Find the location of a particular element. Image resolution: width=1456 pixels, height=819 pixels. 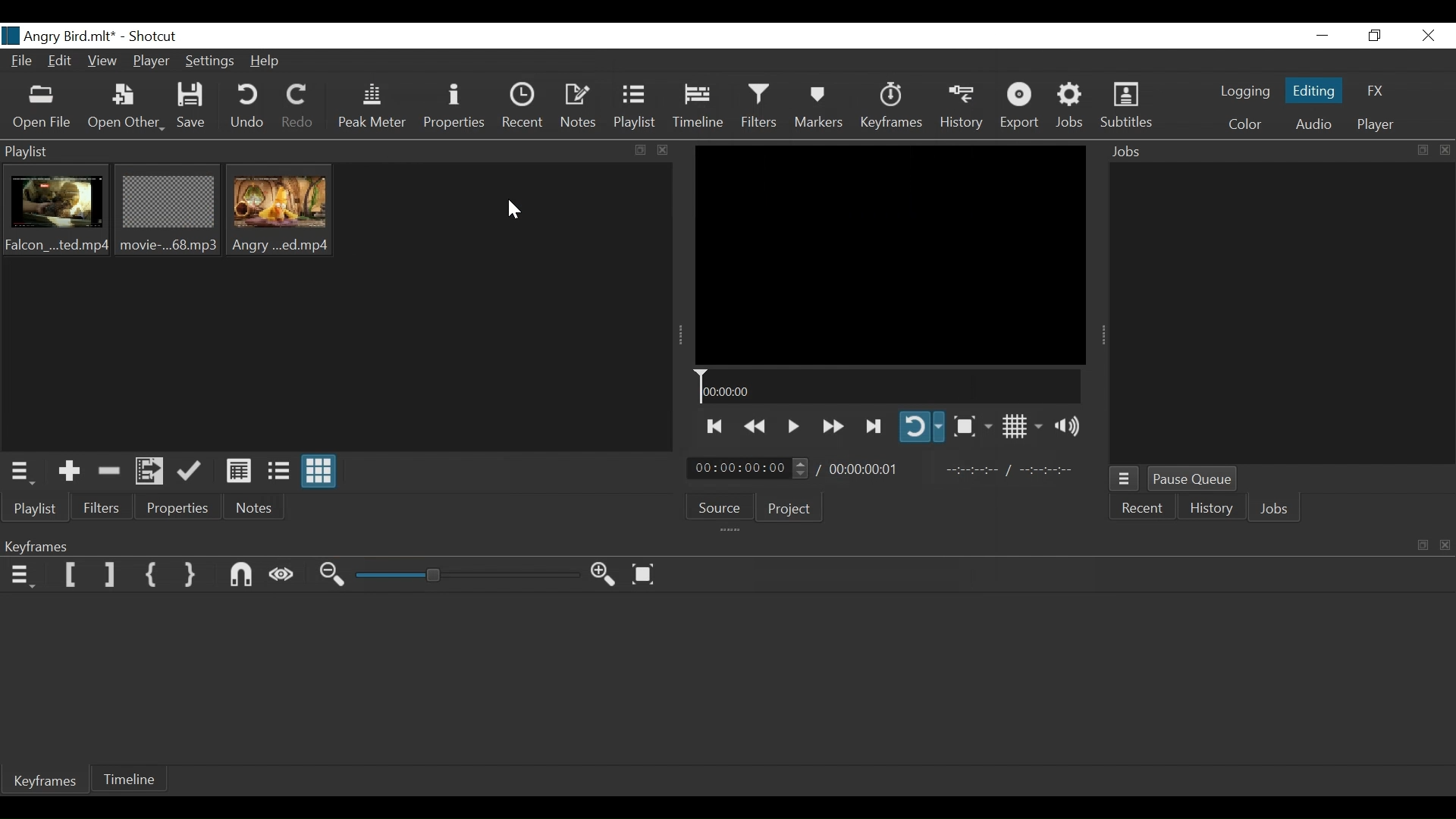

Help is located at coordinates (266, 62).